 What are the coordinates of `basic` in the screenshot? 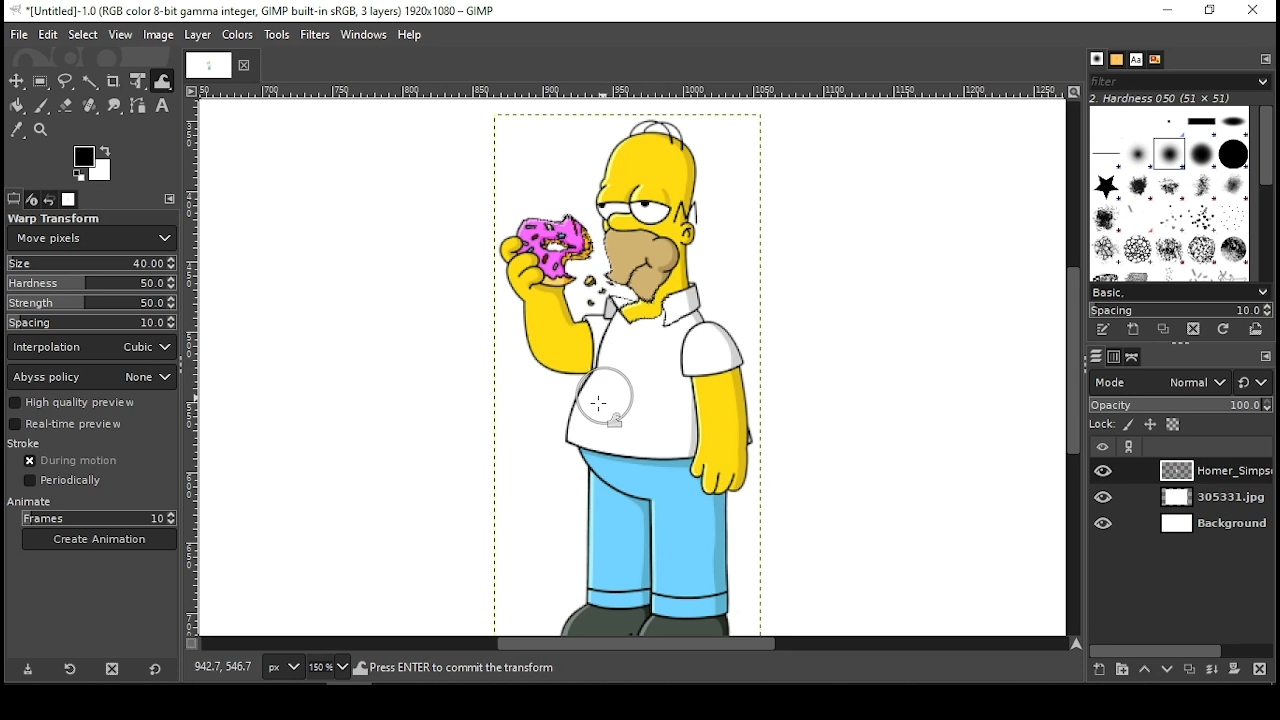 It's located at (1181, 293).